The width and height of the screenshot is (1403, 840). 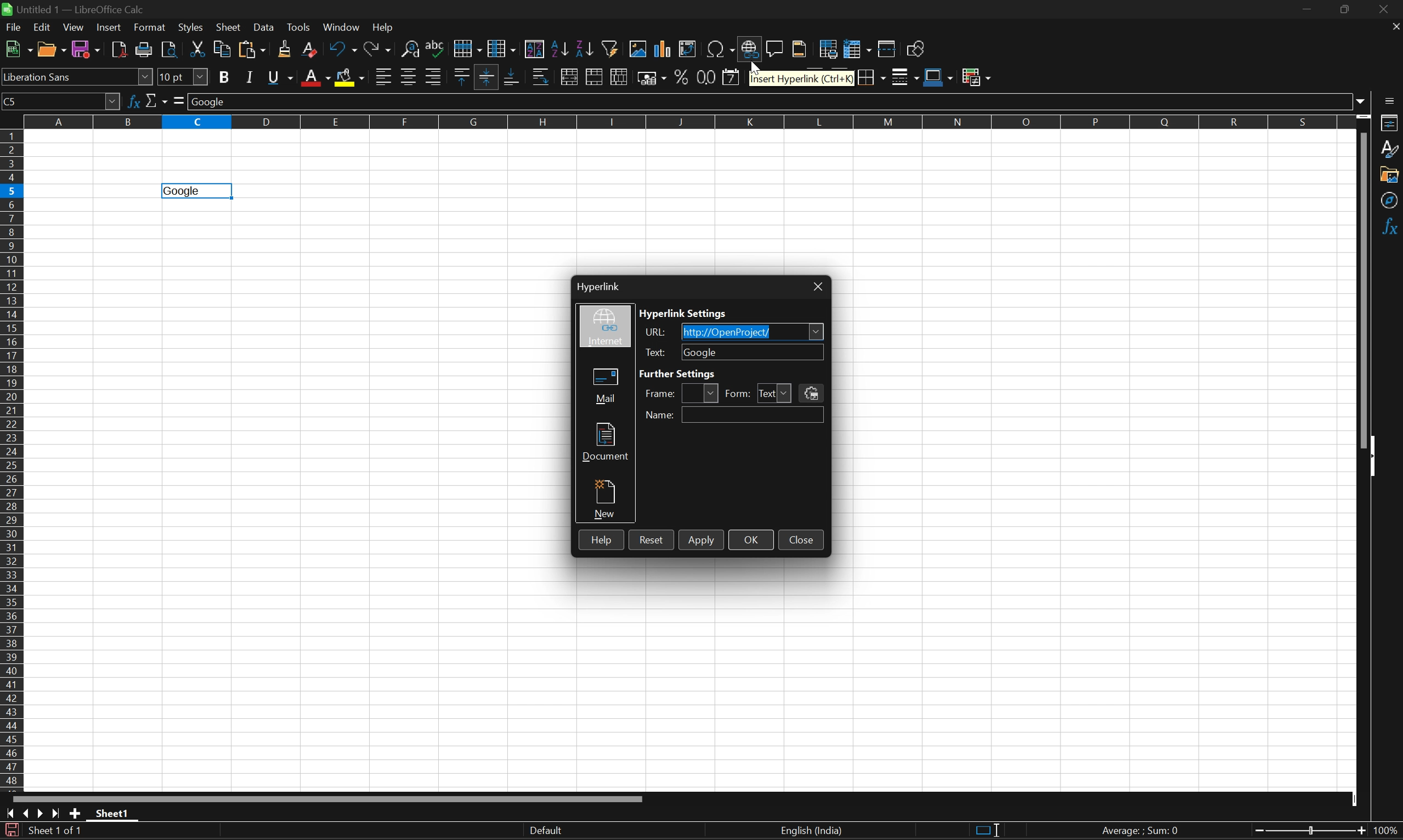 What do you see at coordinates (682, 76) in the screenshot?
I see `Format as percent` at bounding box center [682, 76].